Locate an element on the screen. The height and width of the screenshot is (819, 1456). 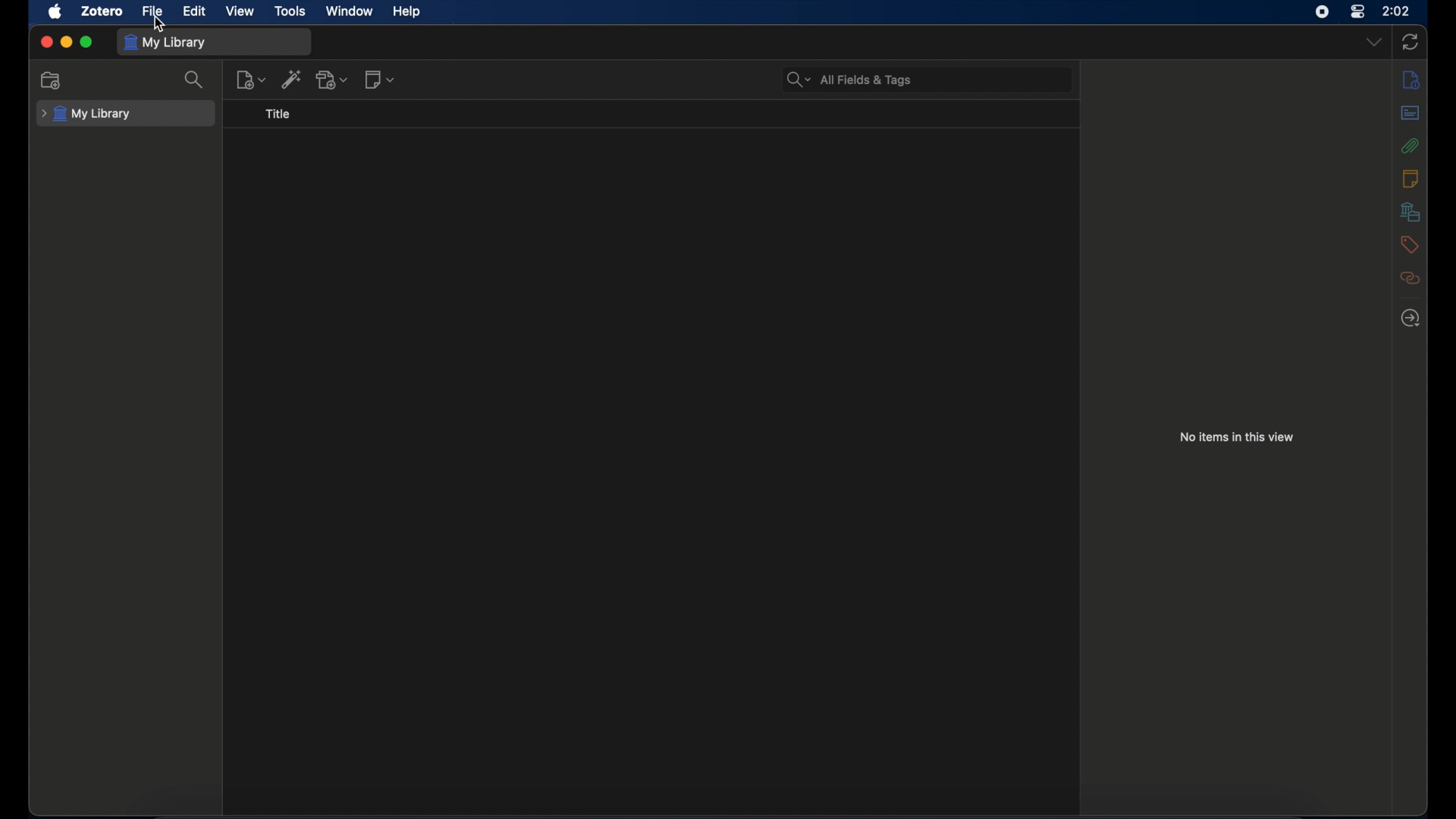
sync is located at coordinates (1411, 42).